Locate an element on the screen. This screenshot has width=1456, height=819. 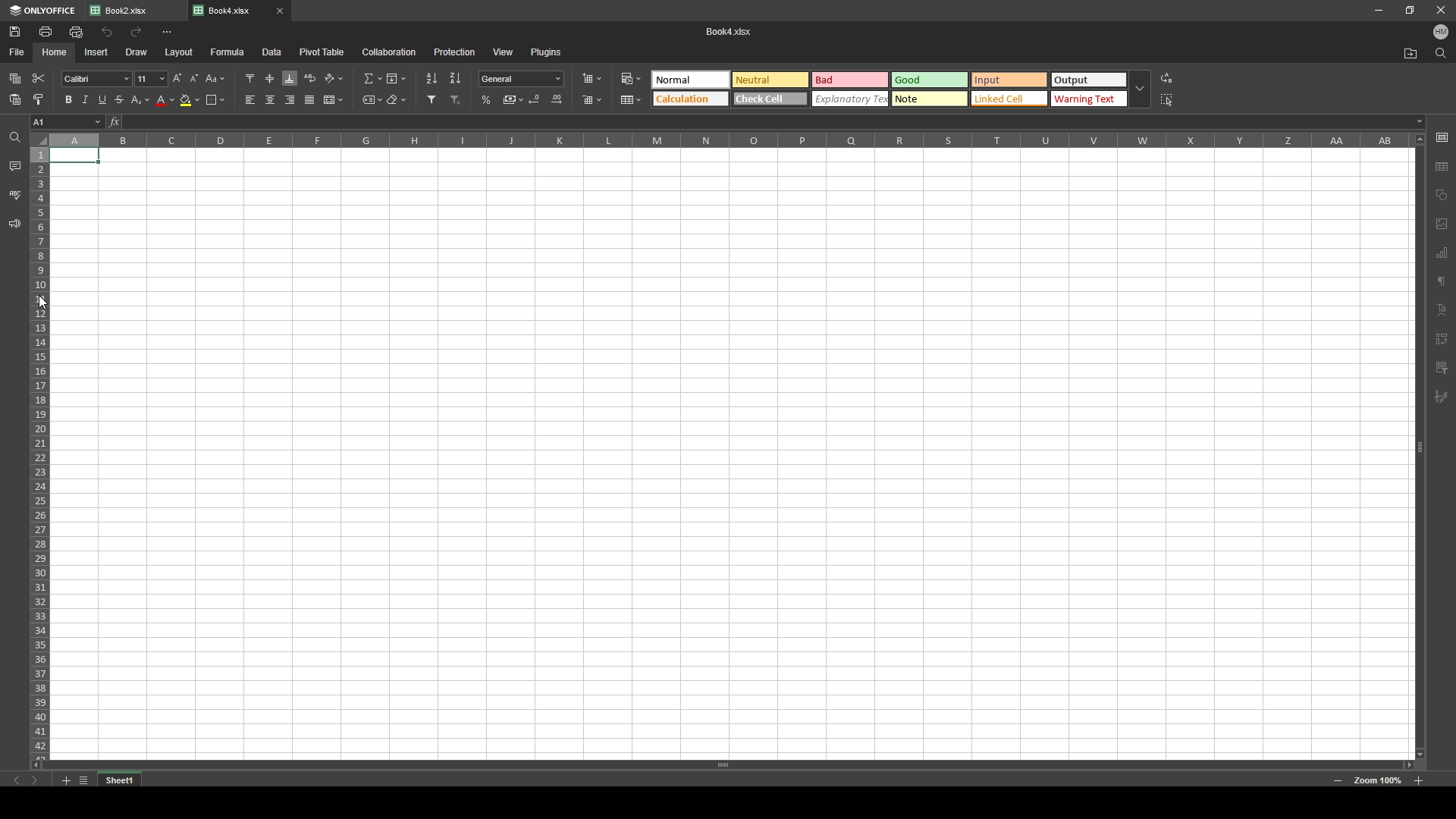
align top is located at coordinates (250, 77).